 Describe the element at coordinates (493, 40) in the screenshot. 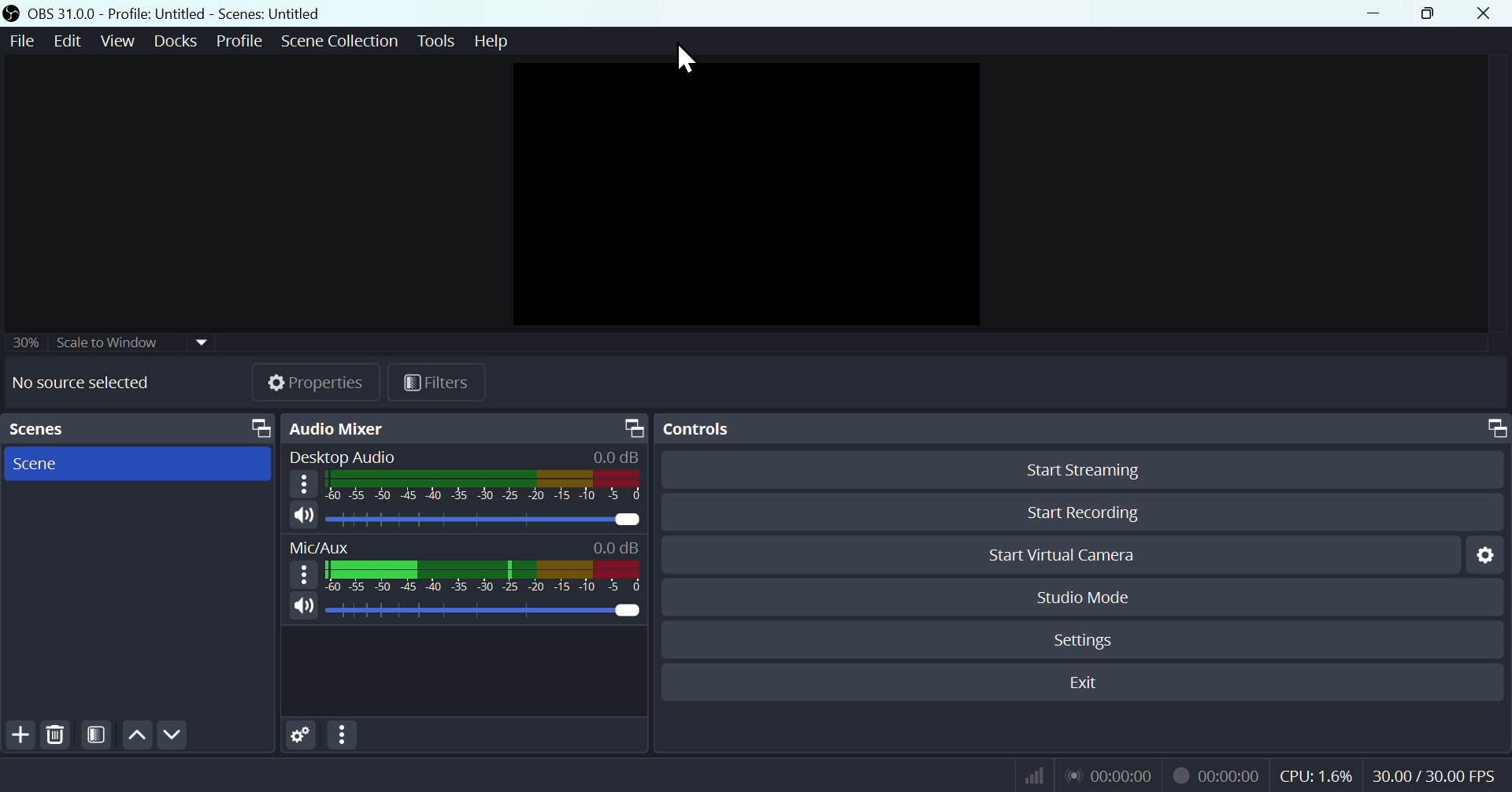

I see `help` at that location.